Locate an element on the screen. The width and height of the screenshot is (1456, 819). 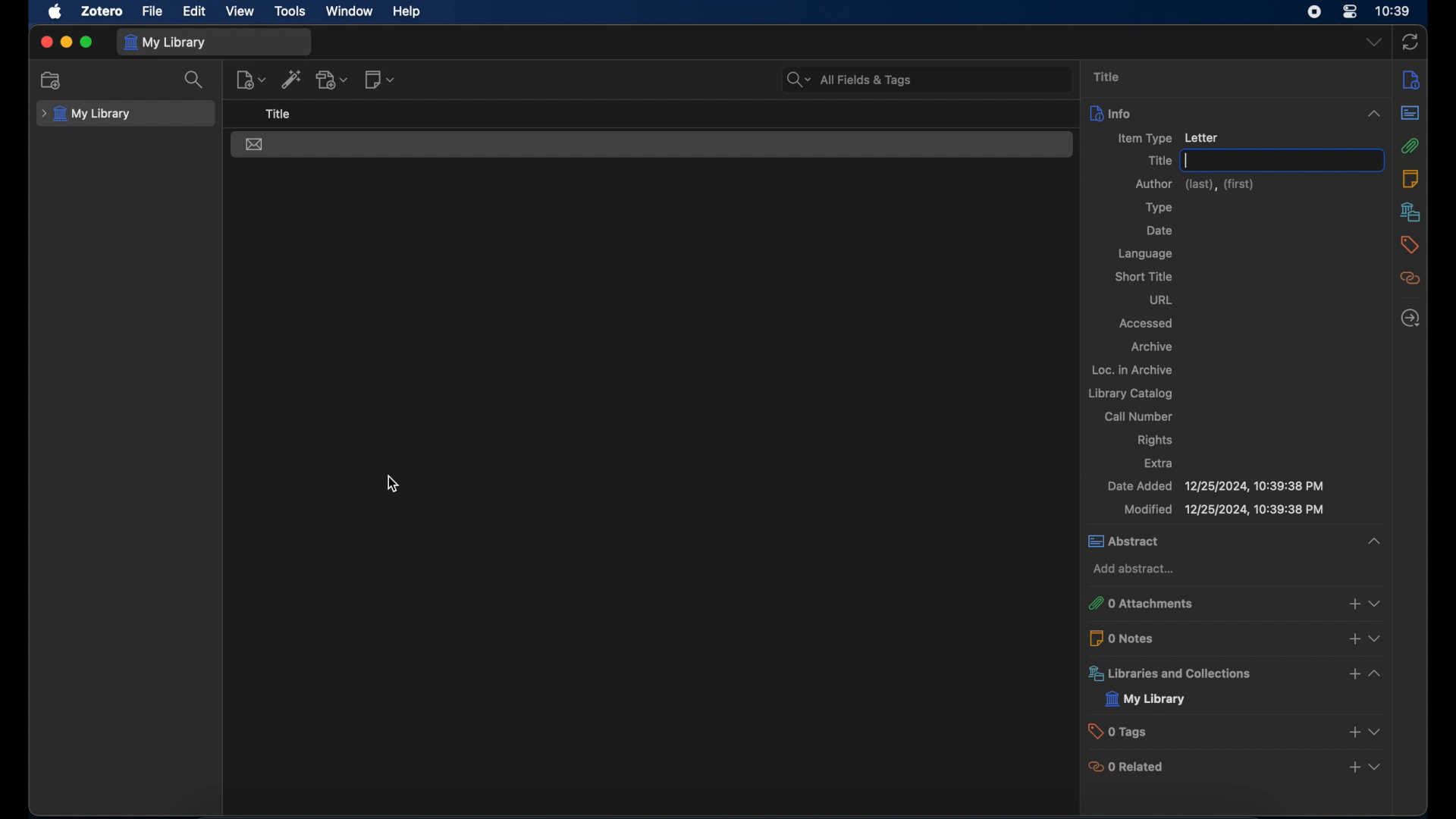
Letter is located at coordinates (1210, 137).